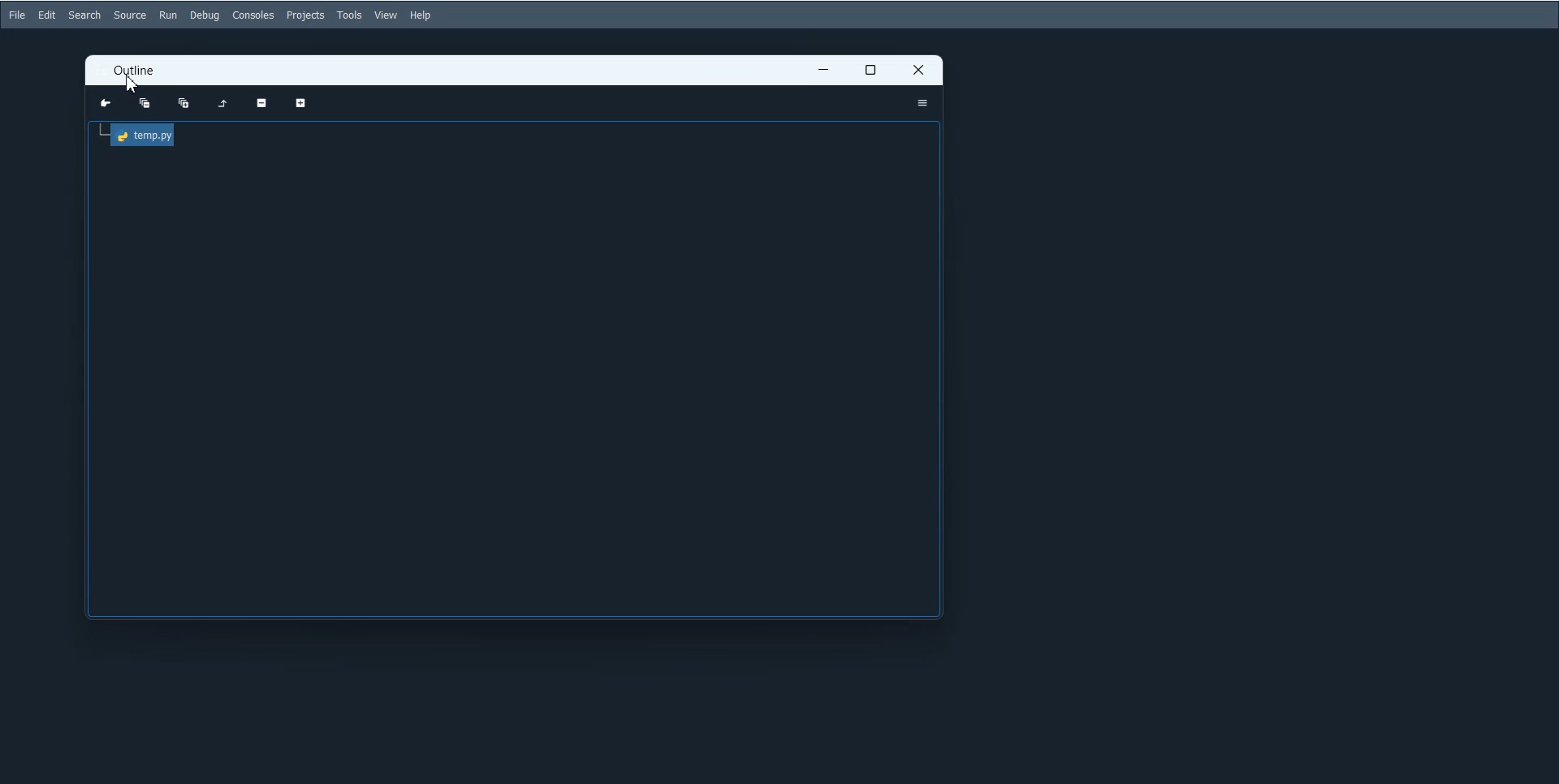  I want to click on File, so click(16, 15).